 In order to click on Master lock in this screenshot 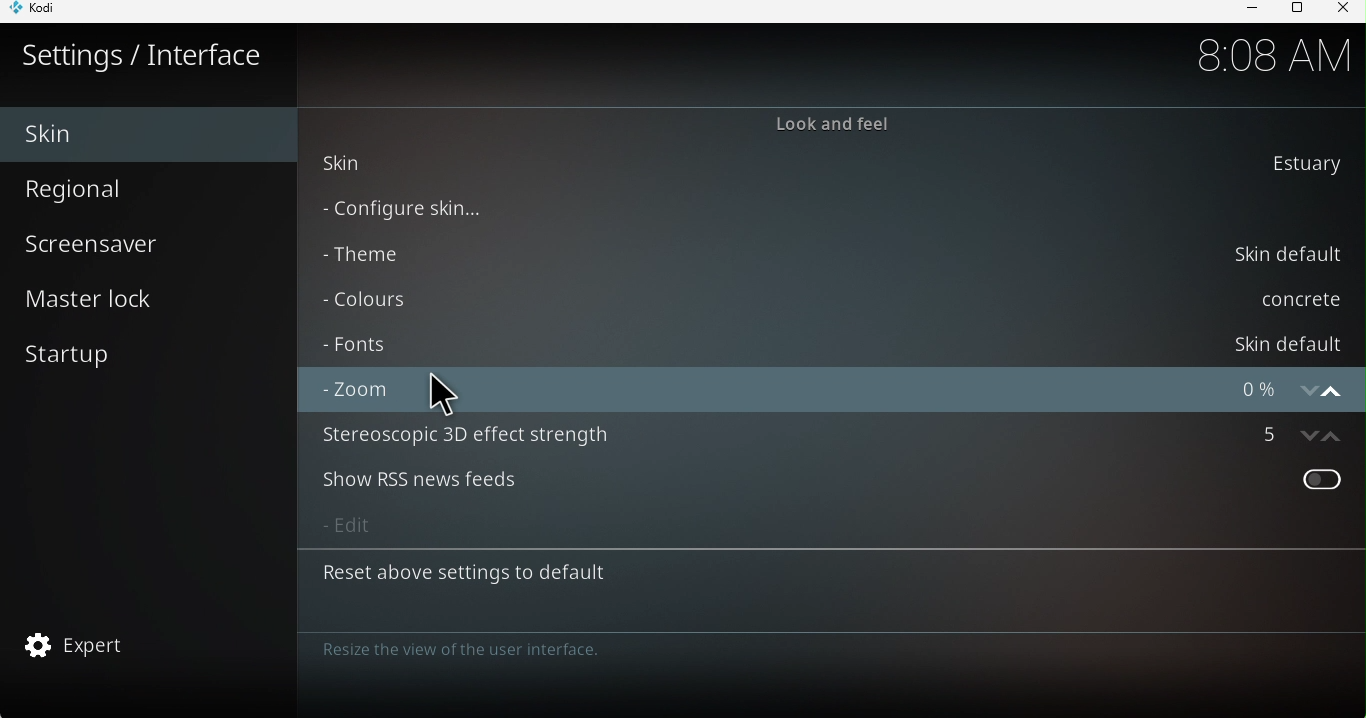, I will do `click(102, 298)`.